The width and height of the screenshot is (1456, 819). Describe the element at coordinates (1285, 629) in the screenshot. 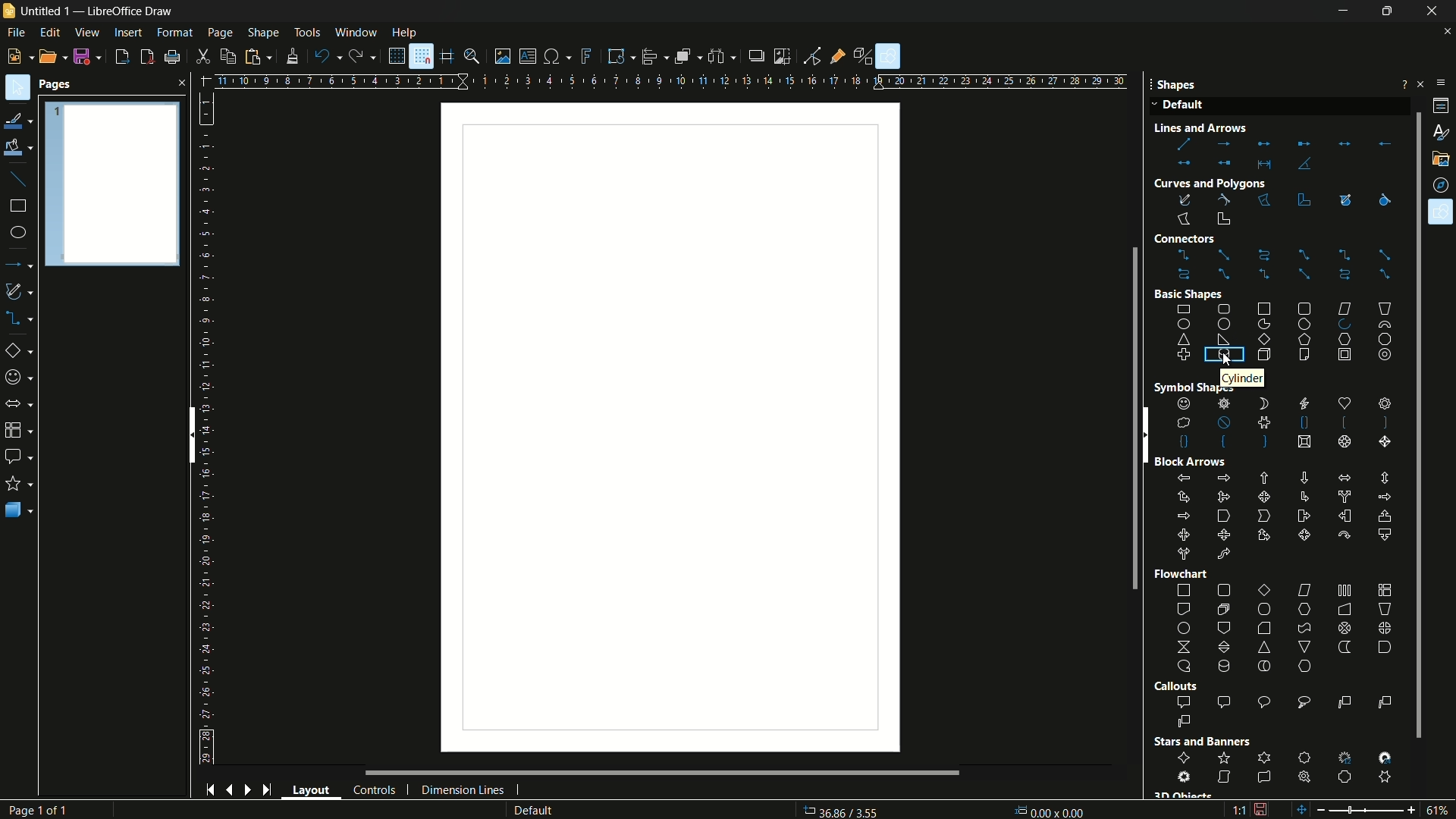

I see `flowchart` at that location.